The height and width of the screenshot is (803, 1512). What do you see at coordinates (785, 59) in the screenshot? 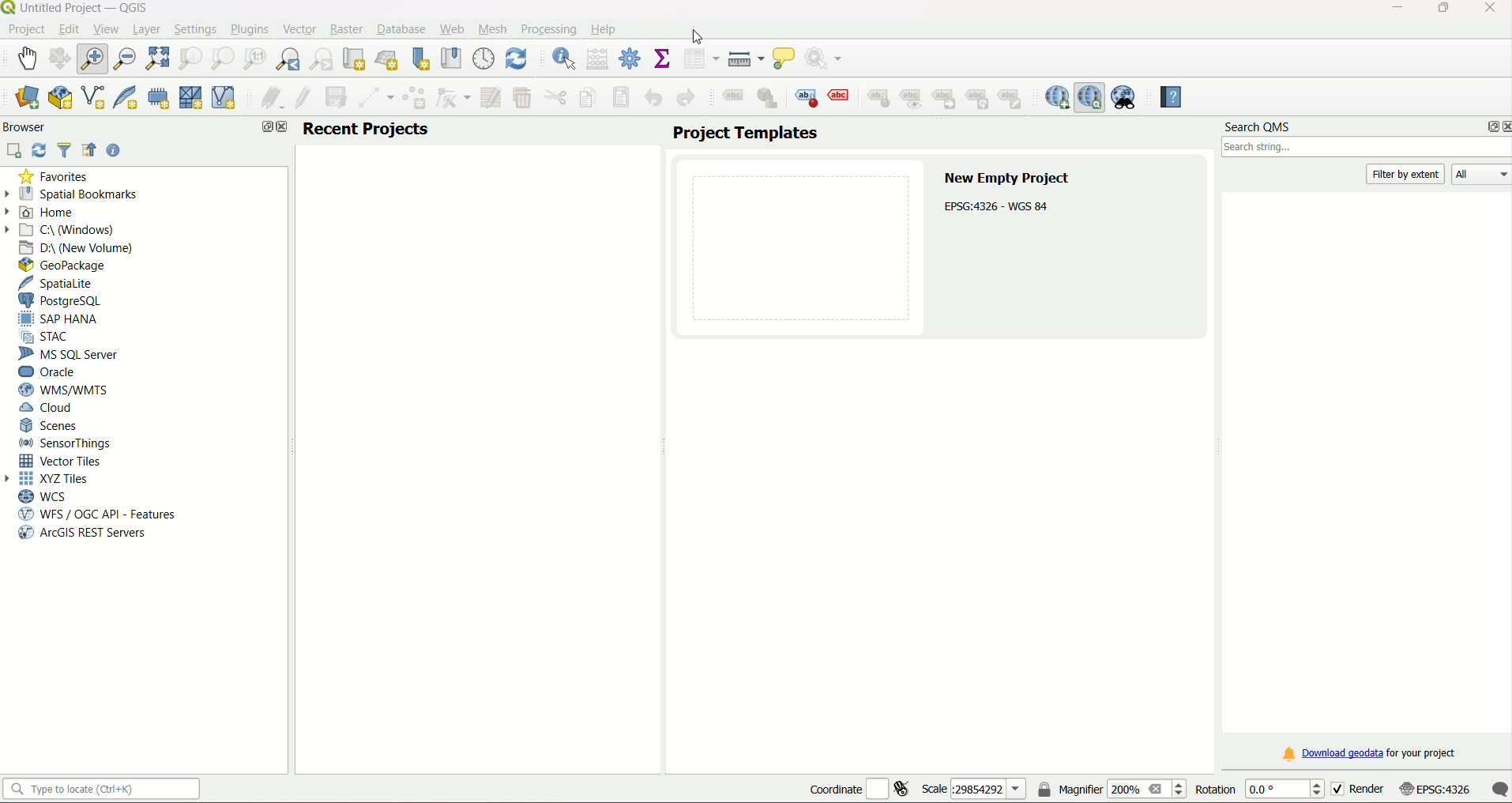
I see `show map tip` at bounding box center [785, 59].